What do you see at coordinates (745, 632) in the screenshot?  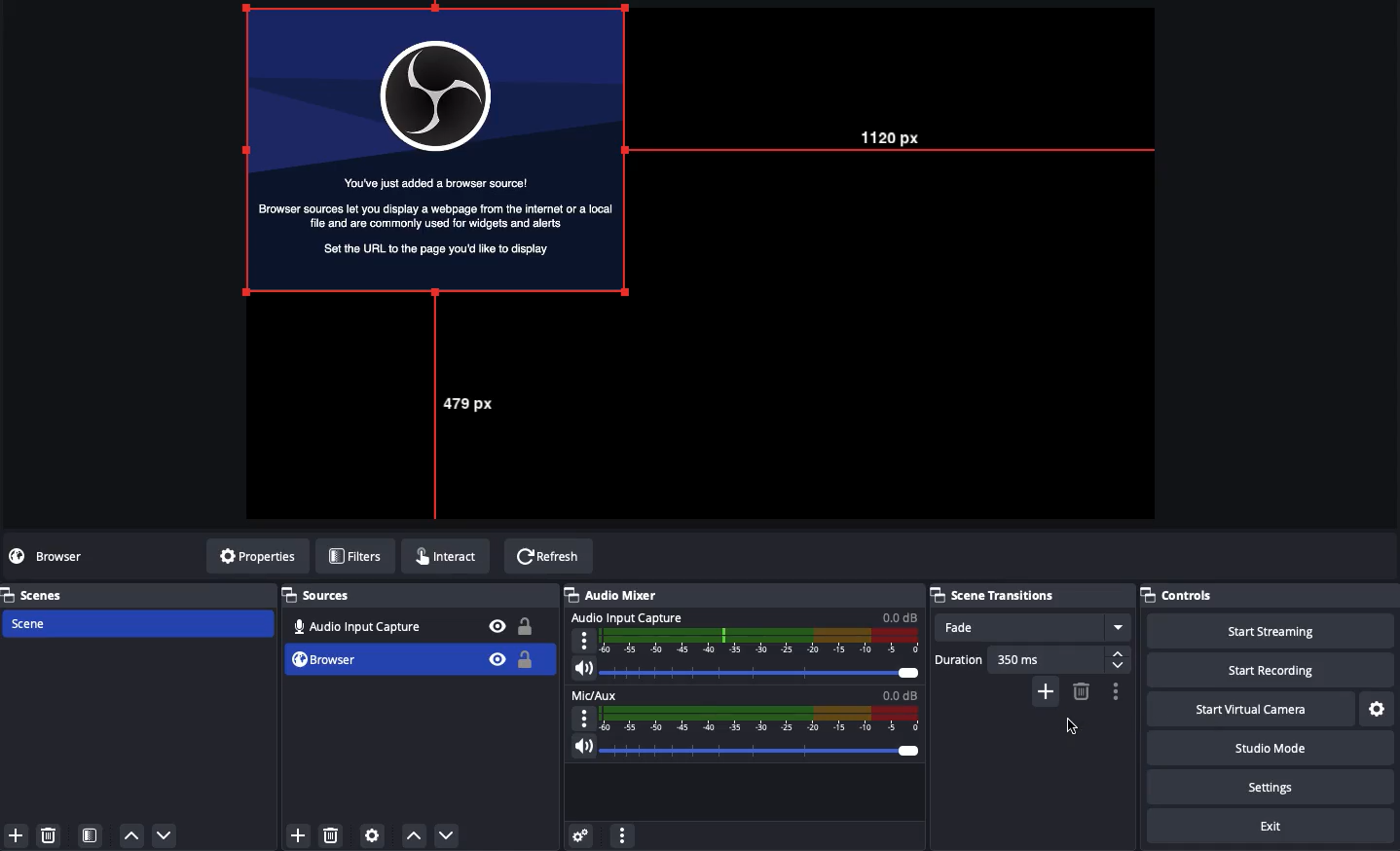 I see `Audio input capture` at bounding box center [745, 632].